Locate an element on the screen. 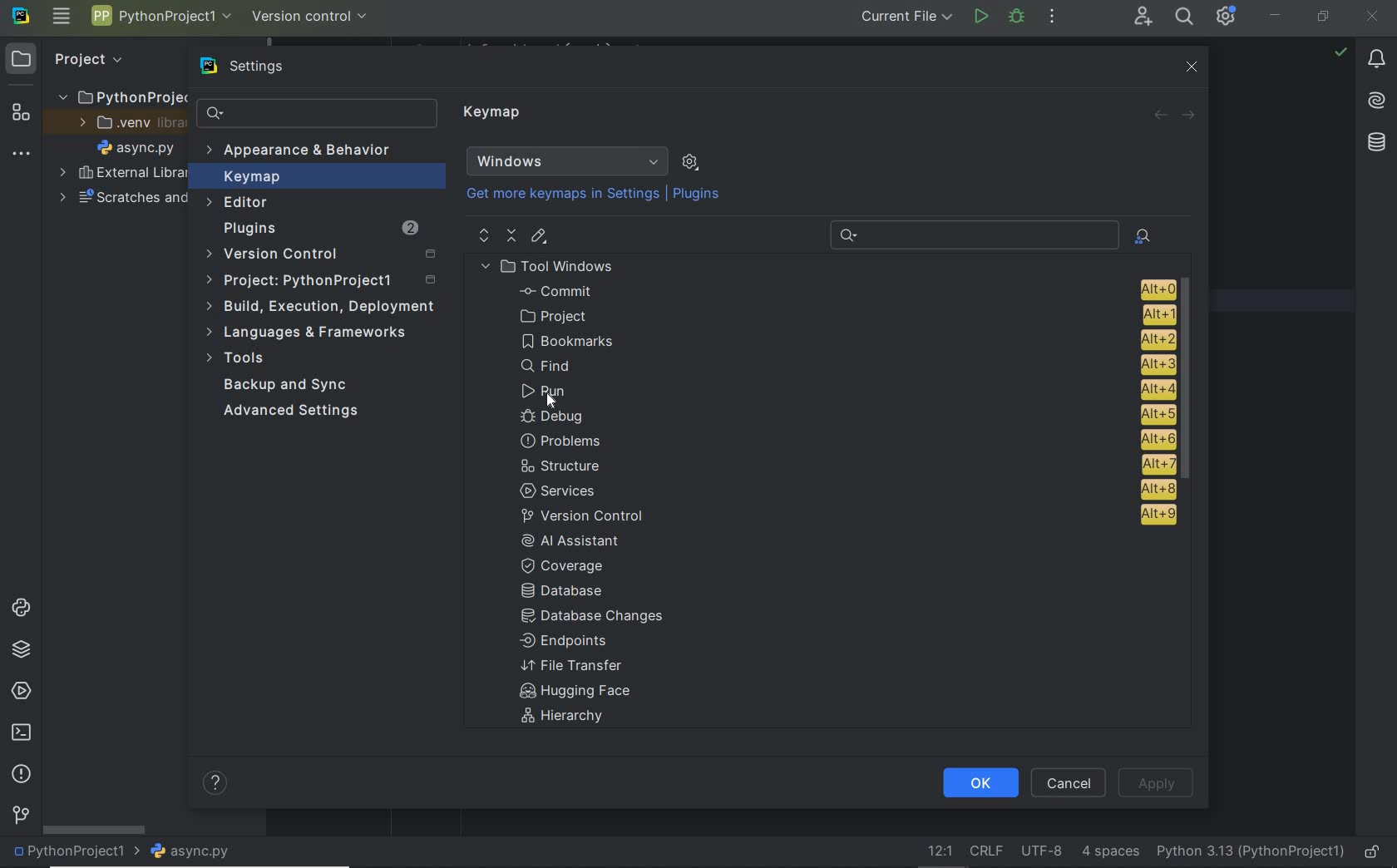 The image size is (1397, 868). coverage is located at coordinates (572, 565).